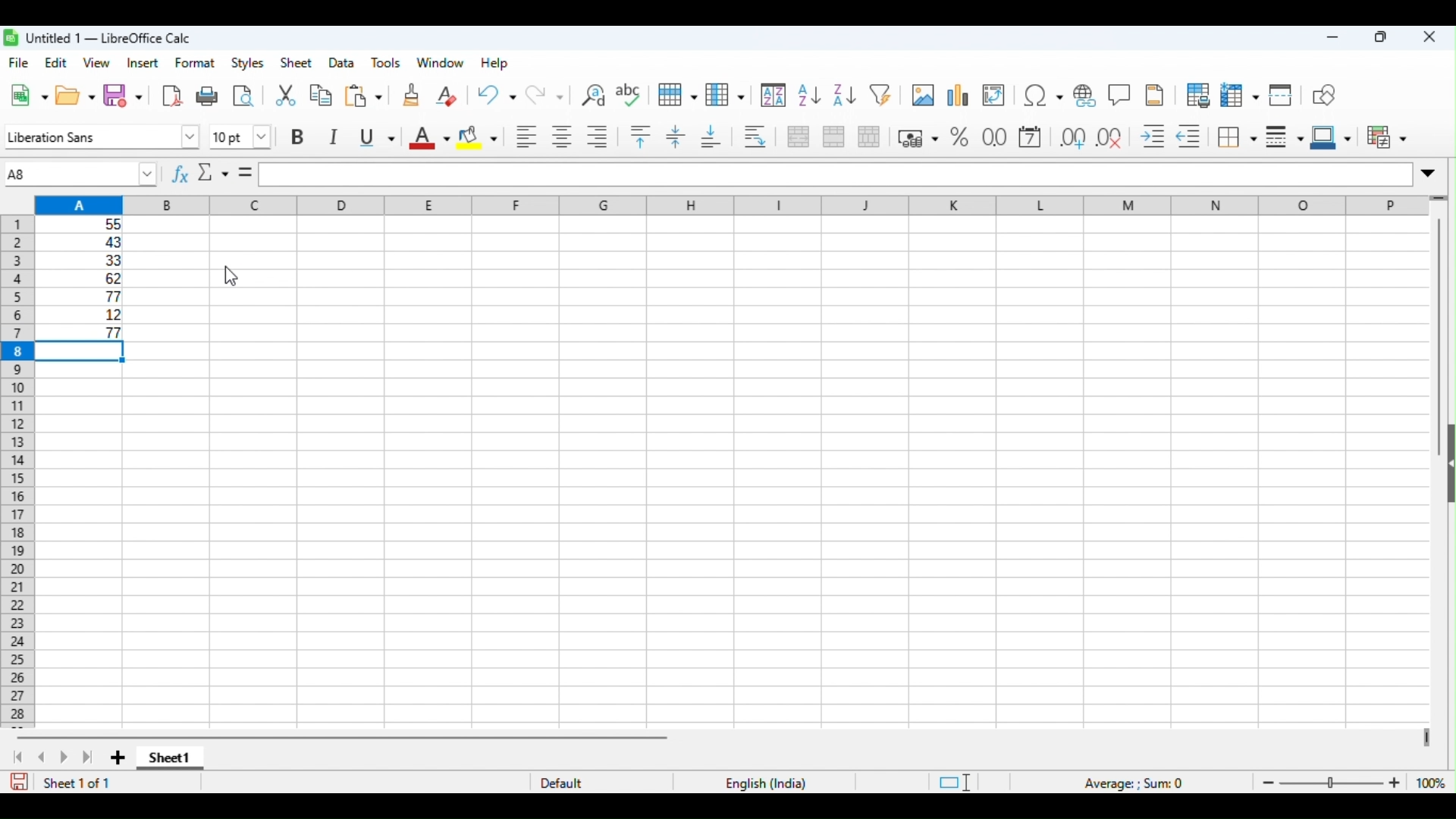  What do you see at coordinates (320, 96) in the screenshot?
I see `copy` at bounding box center [320, 96].